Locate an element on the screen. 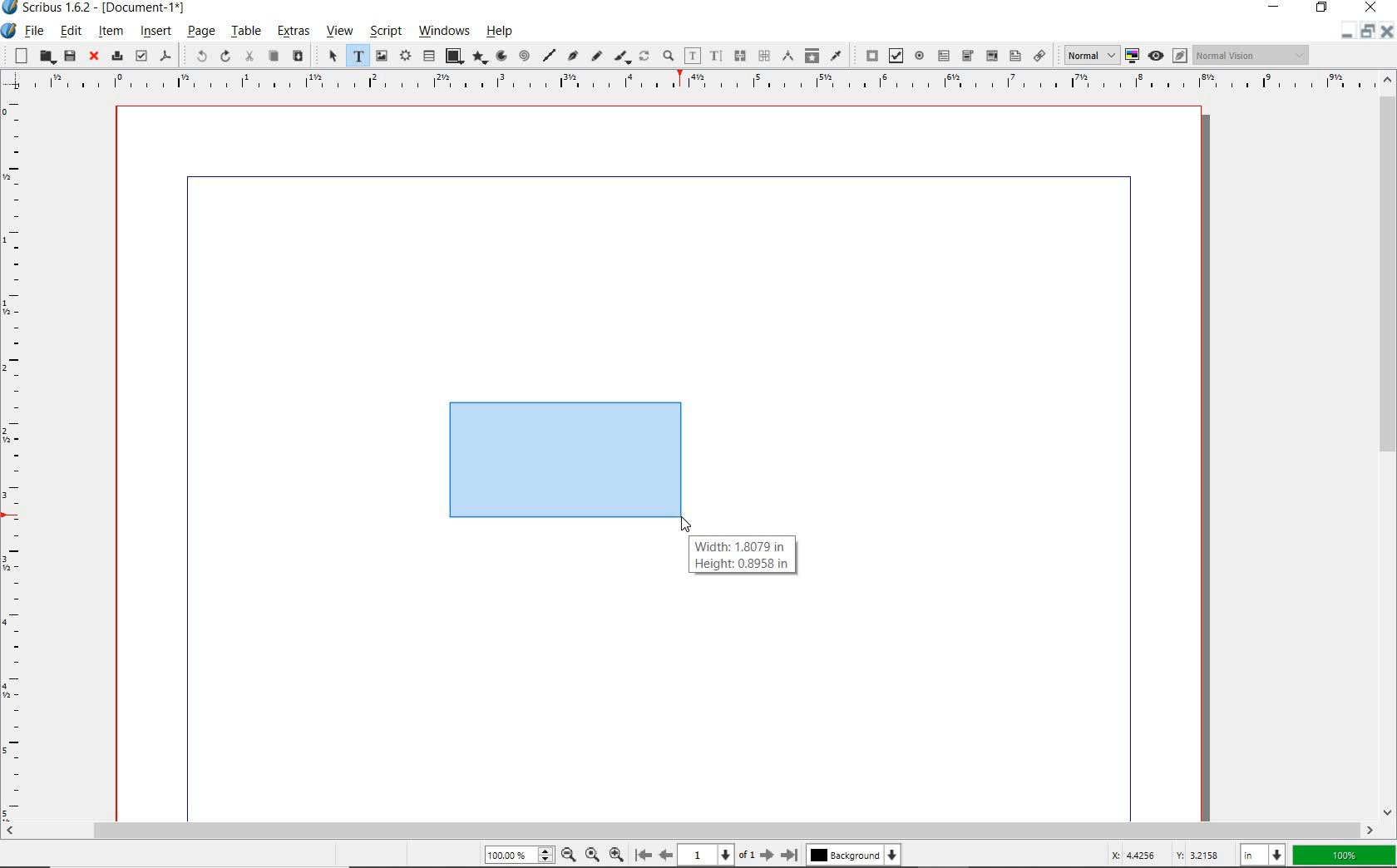 The height and width of the screenshot is (868, 1397). pdf radio button is located at coordinates (920, 56).